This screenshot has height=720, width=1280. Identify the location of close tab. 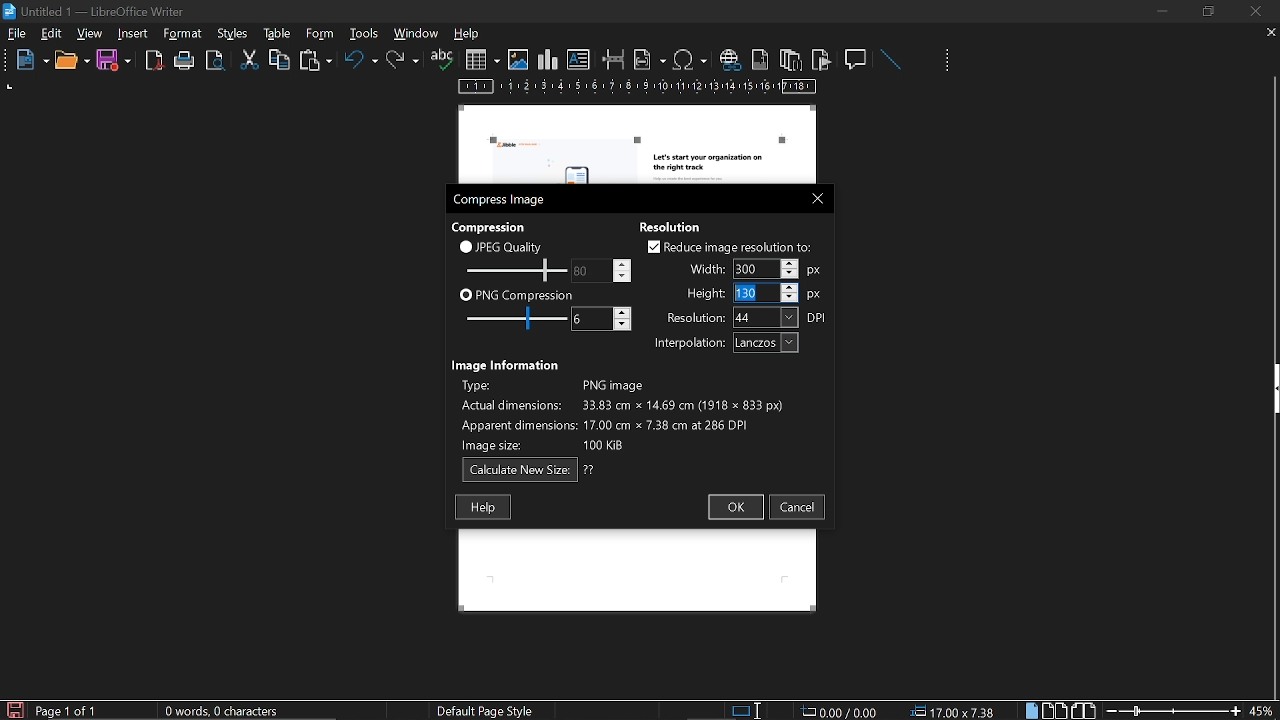
(1271, 34).